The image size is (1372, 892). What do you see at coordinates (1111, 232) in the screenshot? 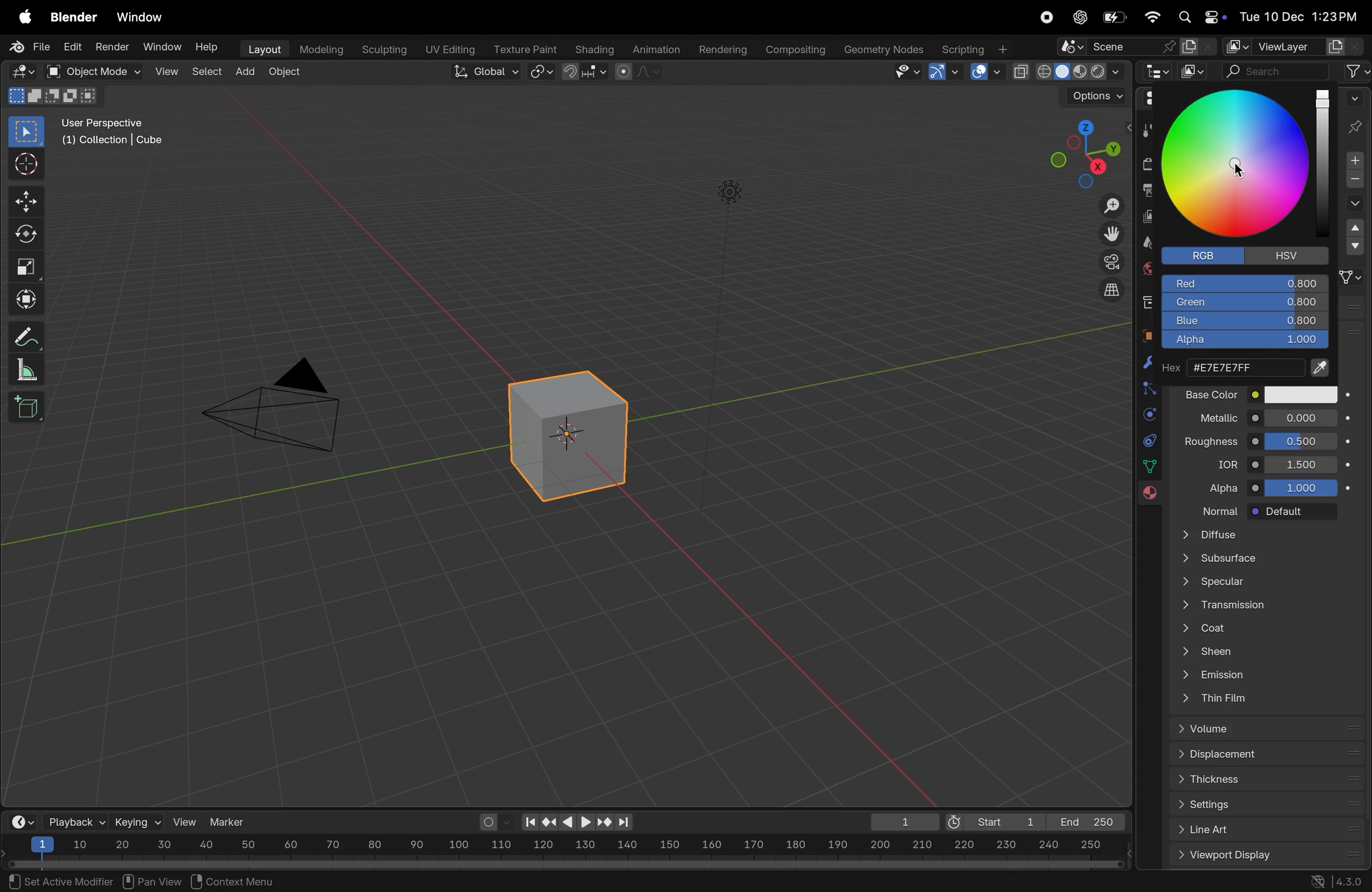
I see `move the view` at bounding box center [1111, 232].